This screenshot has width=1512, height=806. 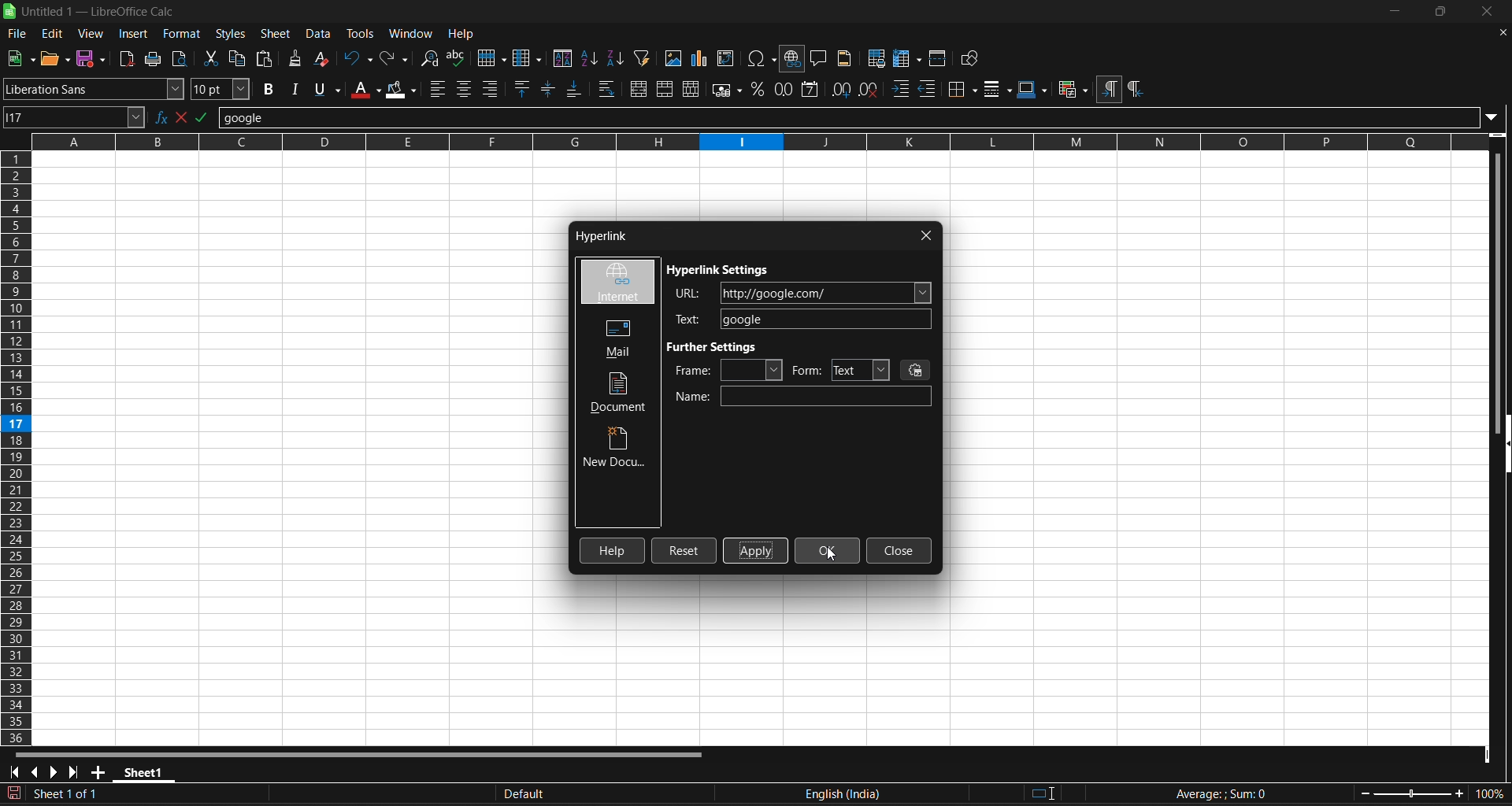 I want to click on title, so click(x=99, y=12).